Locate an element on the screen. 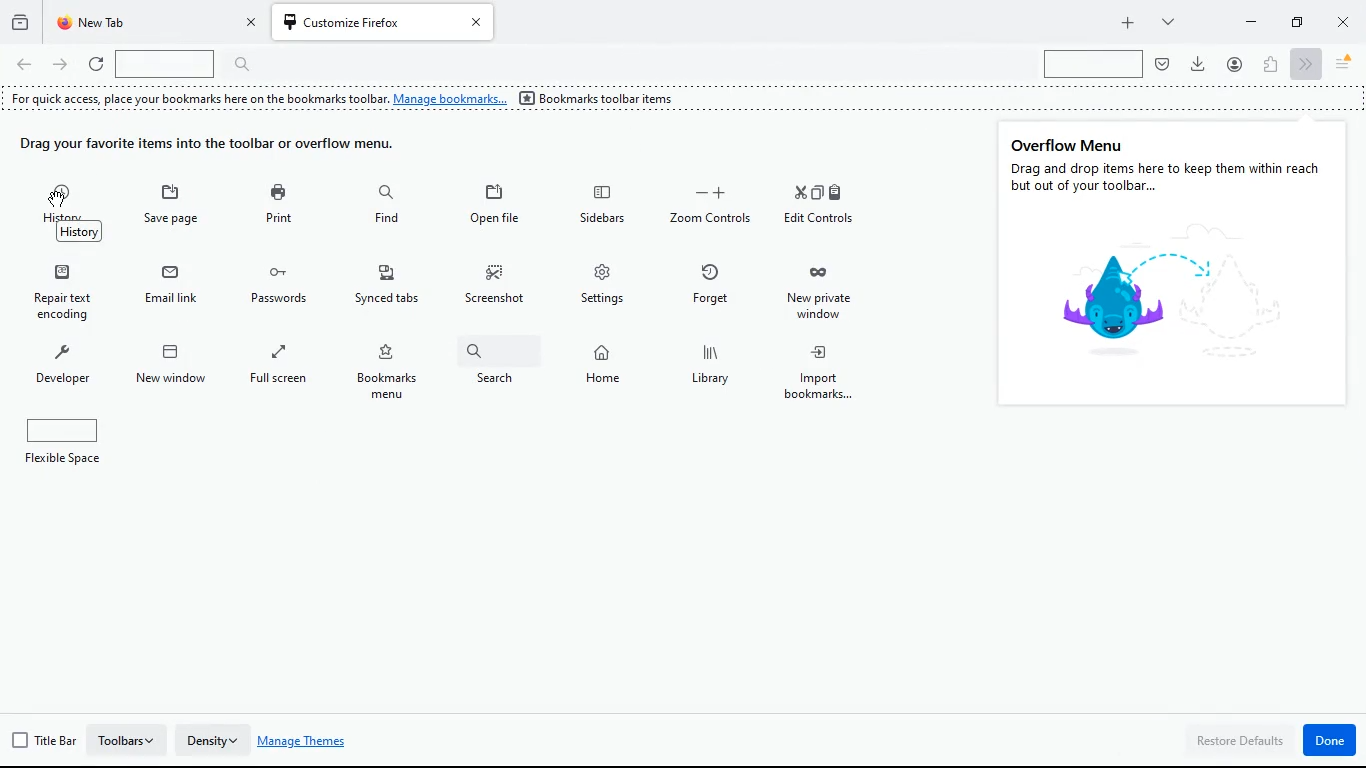 The width and height of the screenshot is (1366, 768). history is located at coordinates (20, 20).